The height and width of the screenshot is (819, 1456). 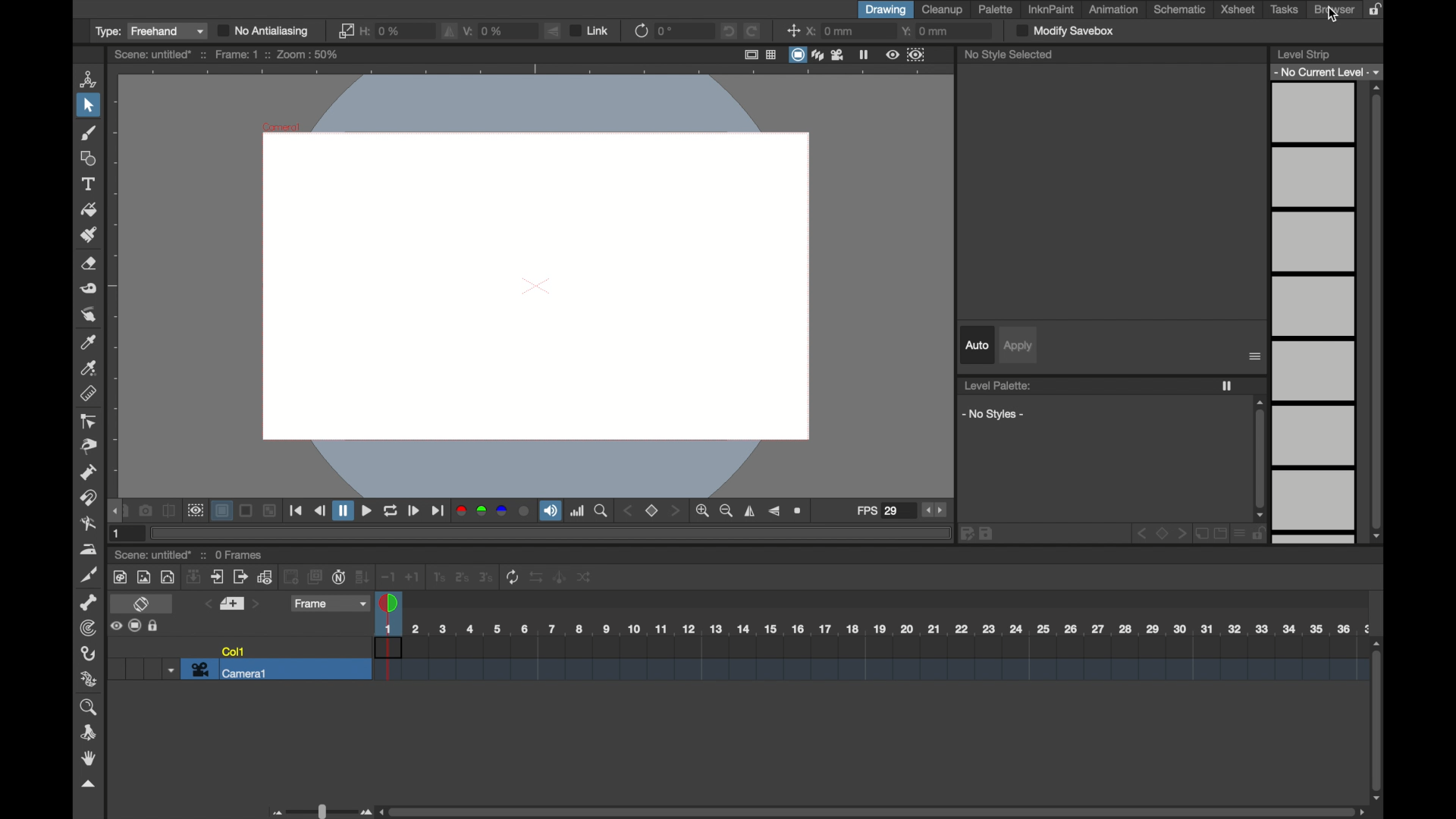 I want to click on new page, so click(x=1201, y=535).